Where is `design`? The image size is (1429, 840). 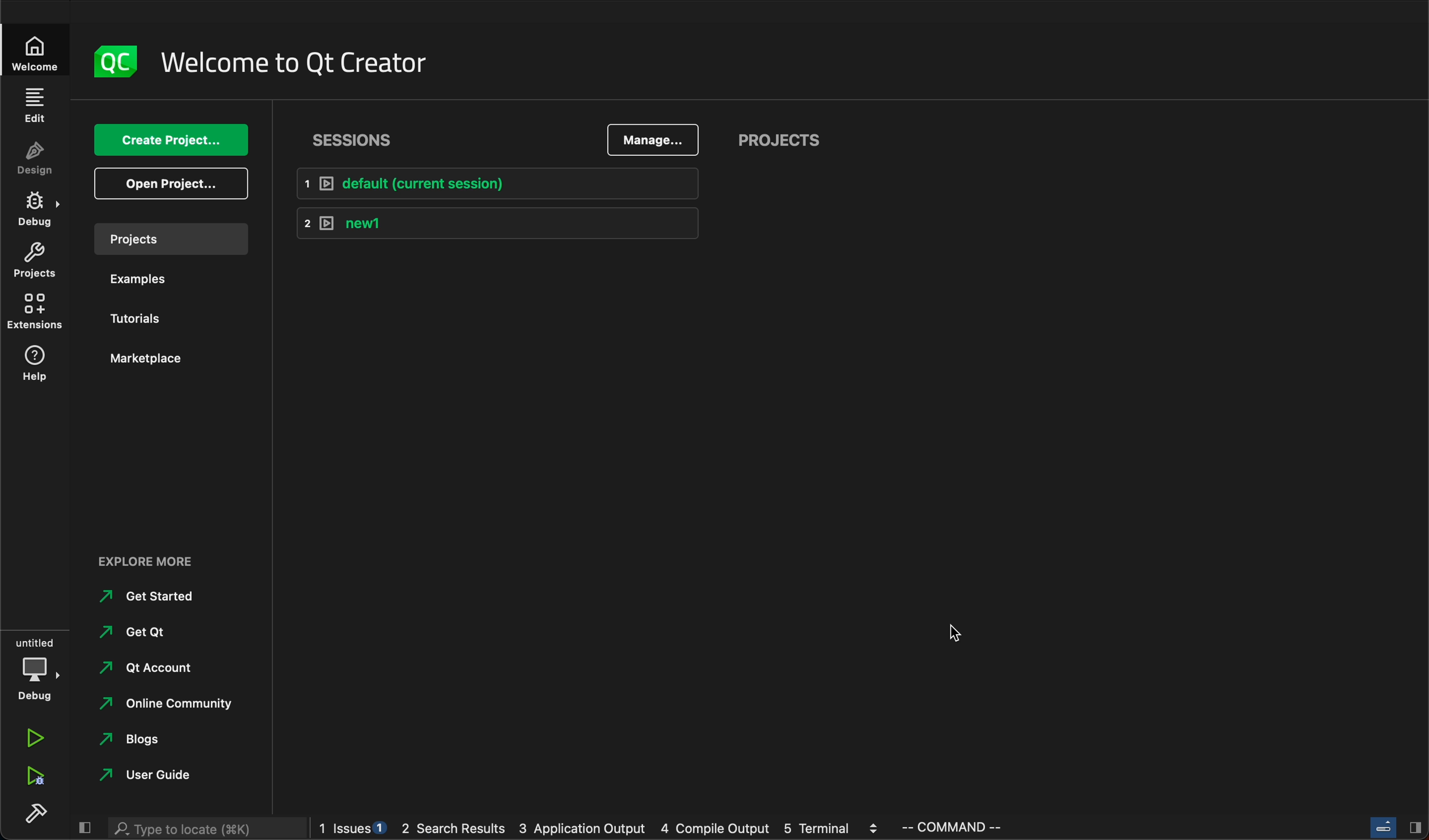
design is located at coordinates (36, 164).